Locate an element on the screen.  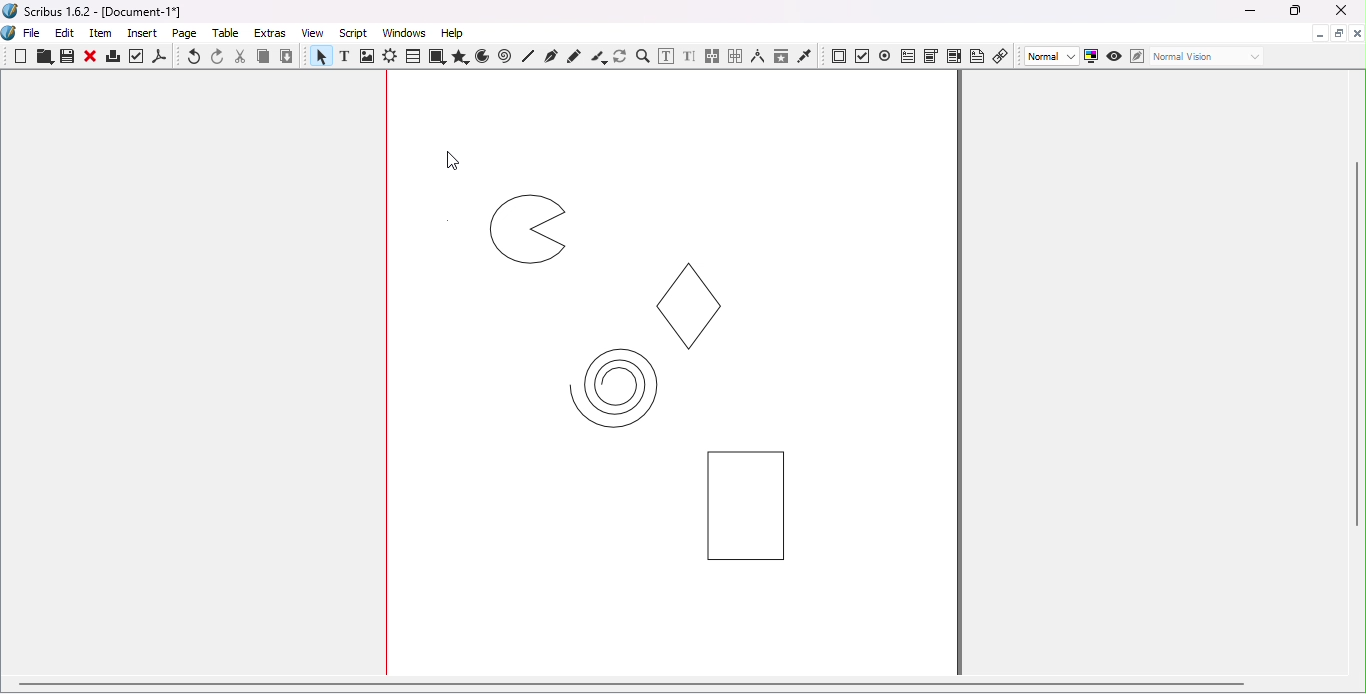
Toggle color management system is located at coordinates (1092, 55).